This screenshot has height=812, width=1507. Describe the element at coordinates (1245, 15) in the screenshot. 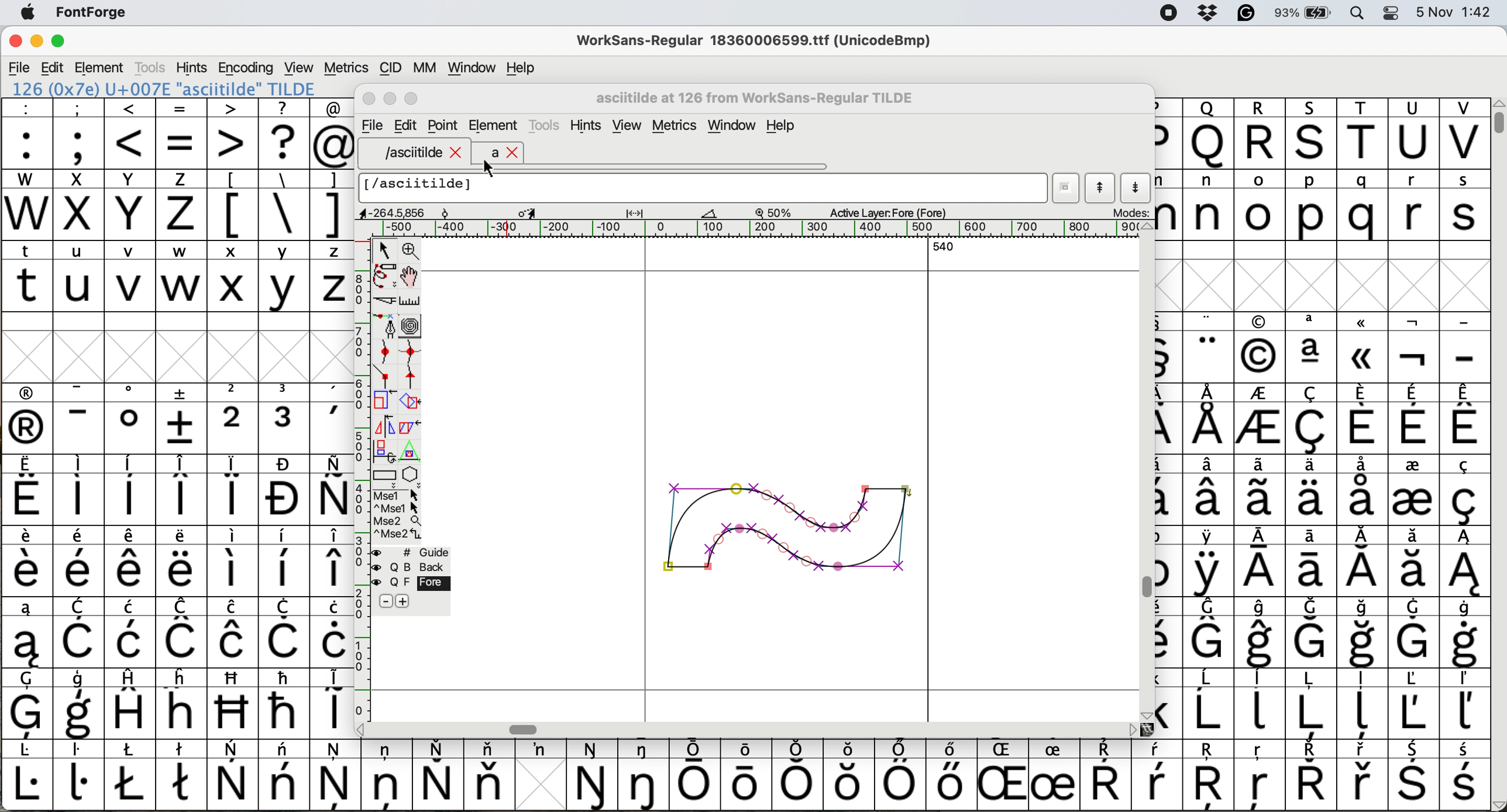

I see `grammarly` at that location.